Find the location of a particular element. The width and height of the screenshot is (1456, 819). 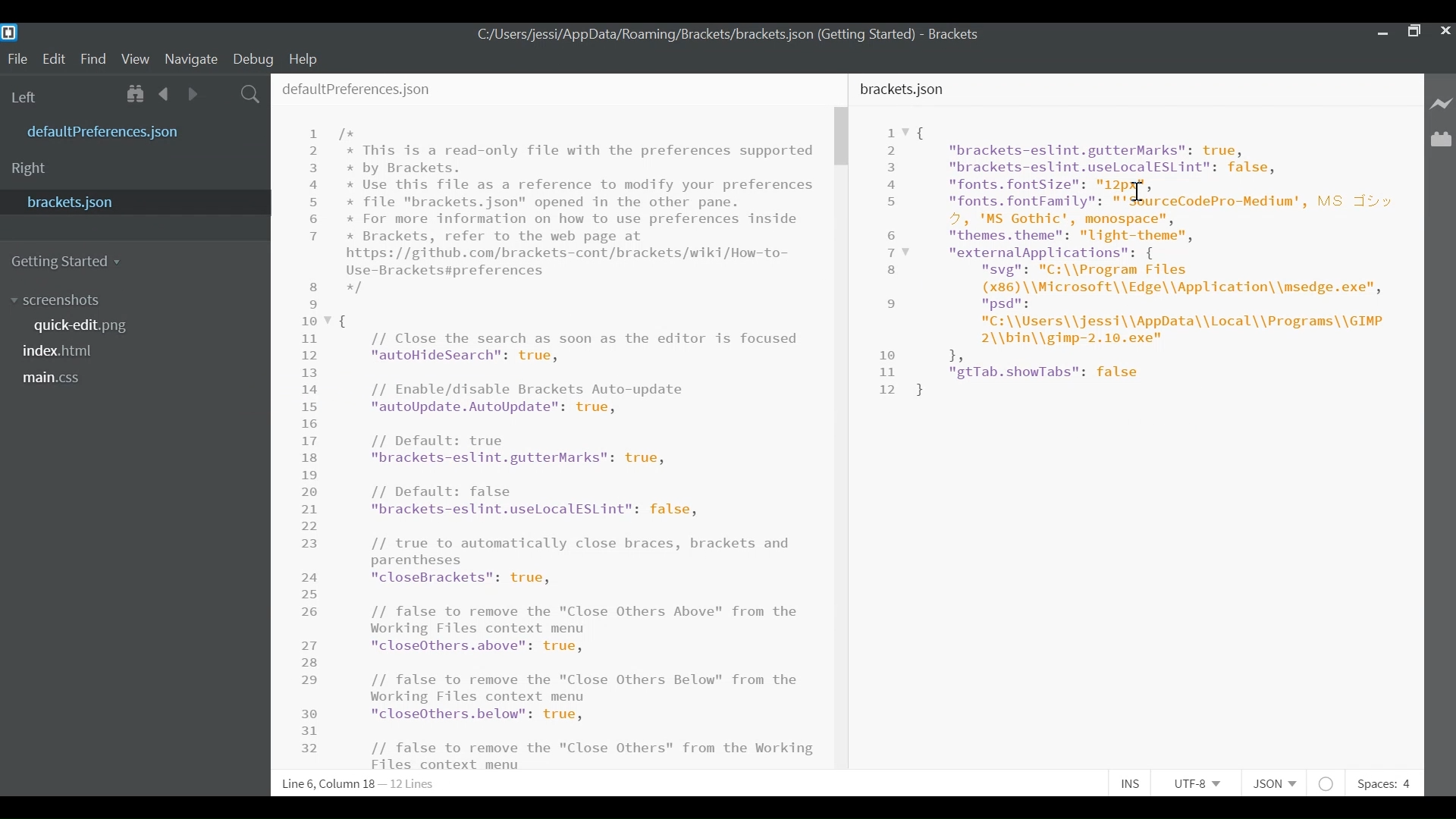

Live Preview is located at coordinates (1442, 105).